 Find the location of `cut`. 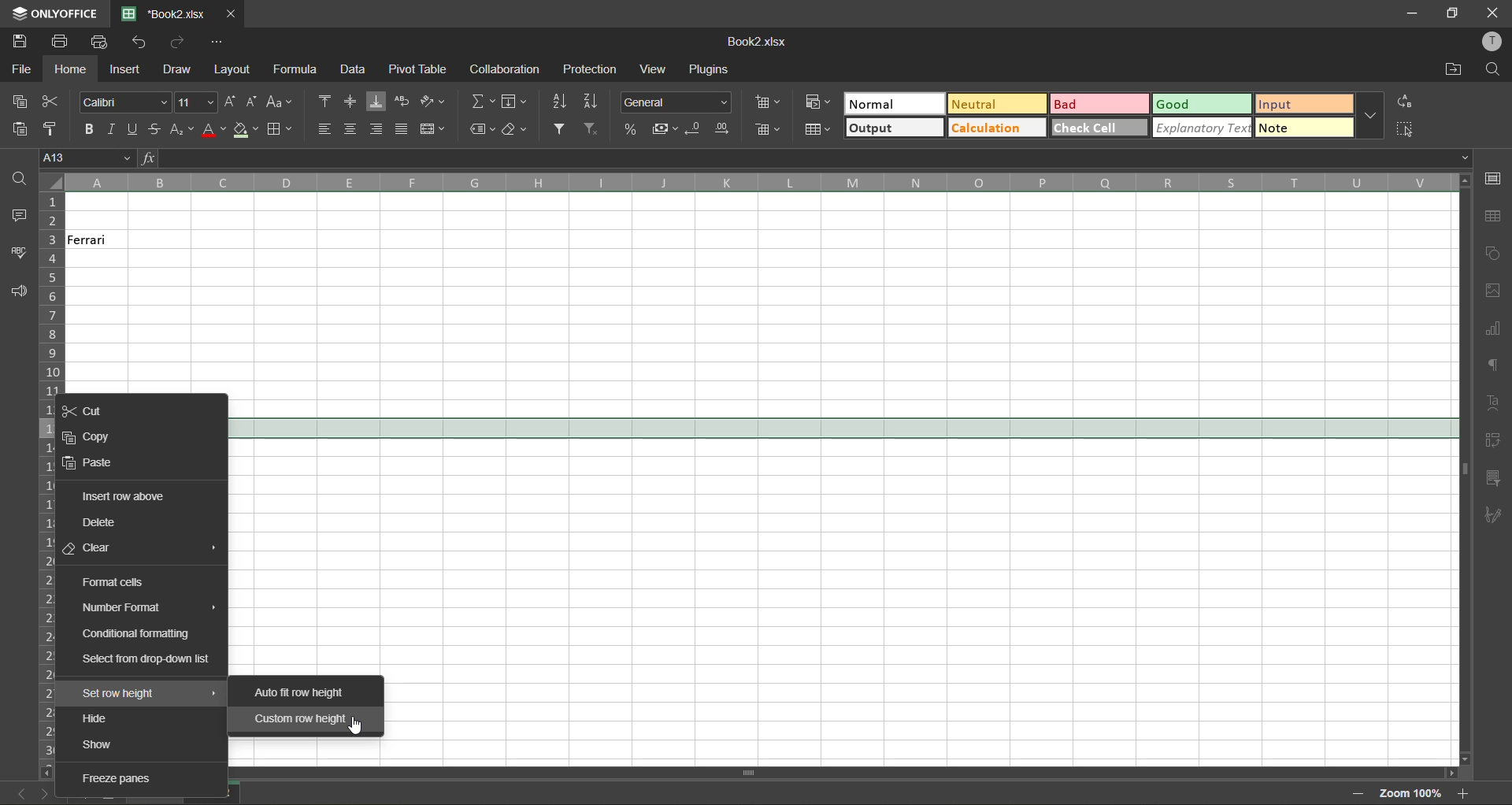

cut is located at coordinates (87, 410).